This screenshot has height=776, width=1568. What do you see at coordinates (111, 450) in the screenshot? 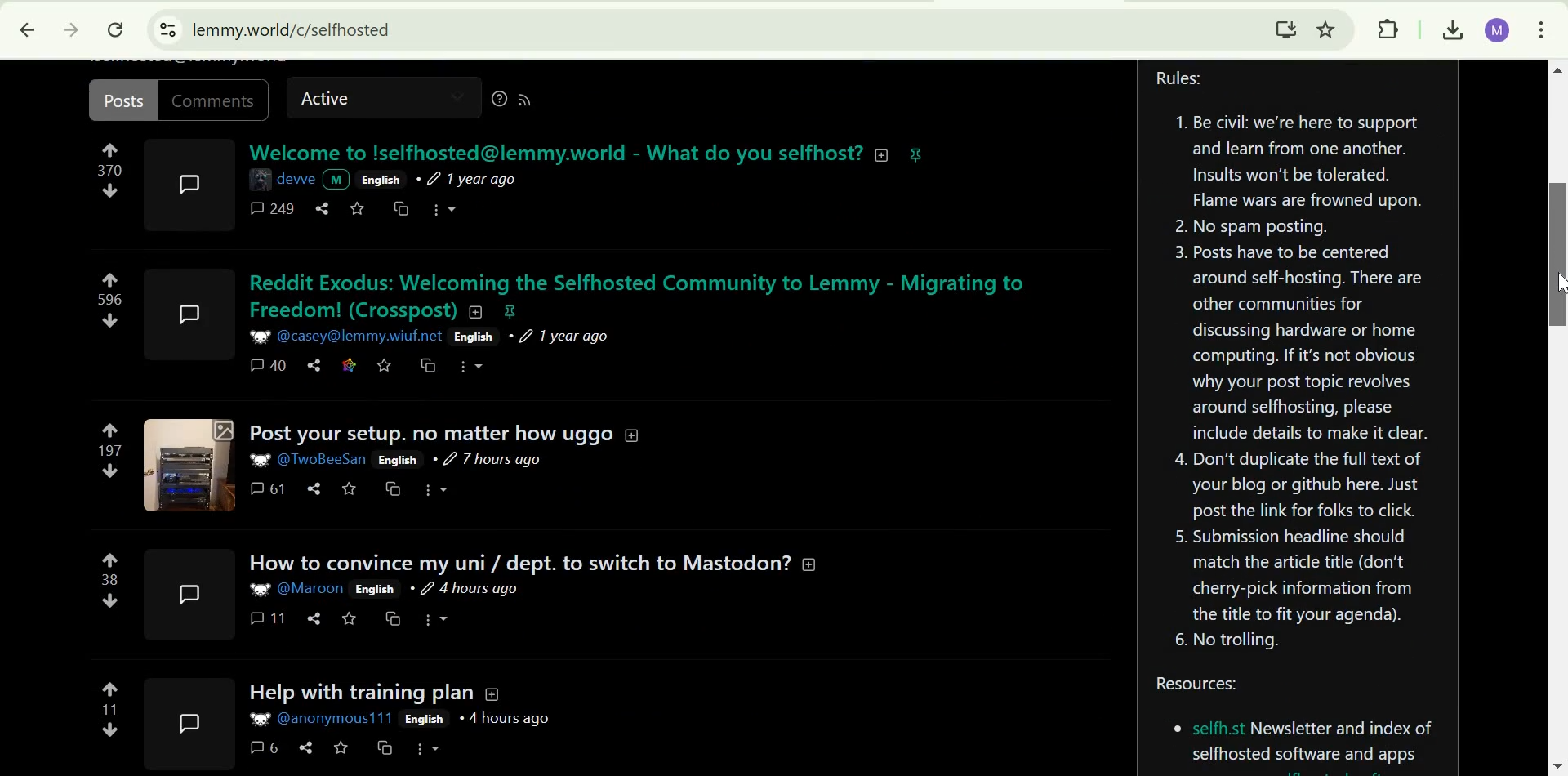
I see `197 points` at bounding box center [111, 450].